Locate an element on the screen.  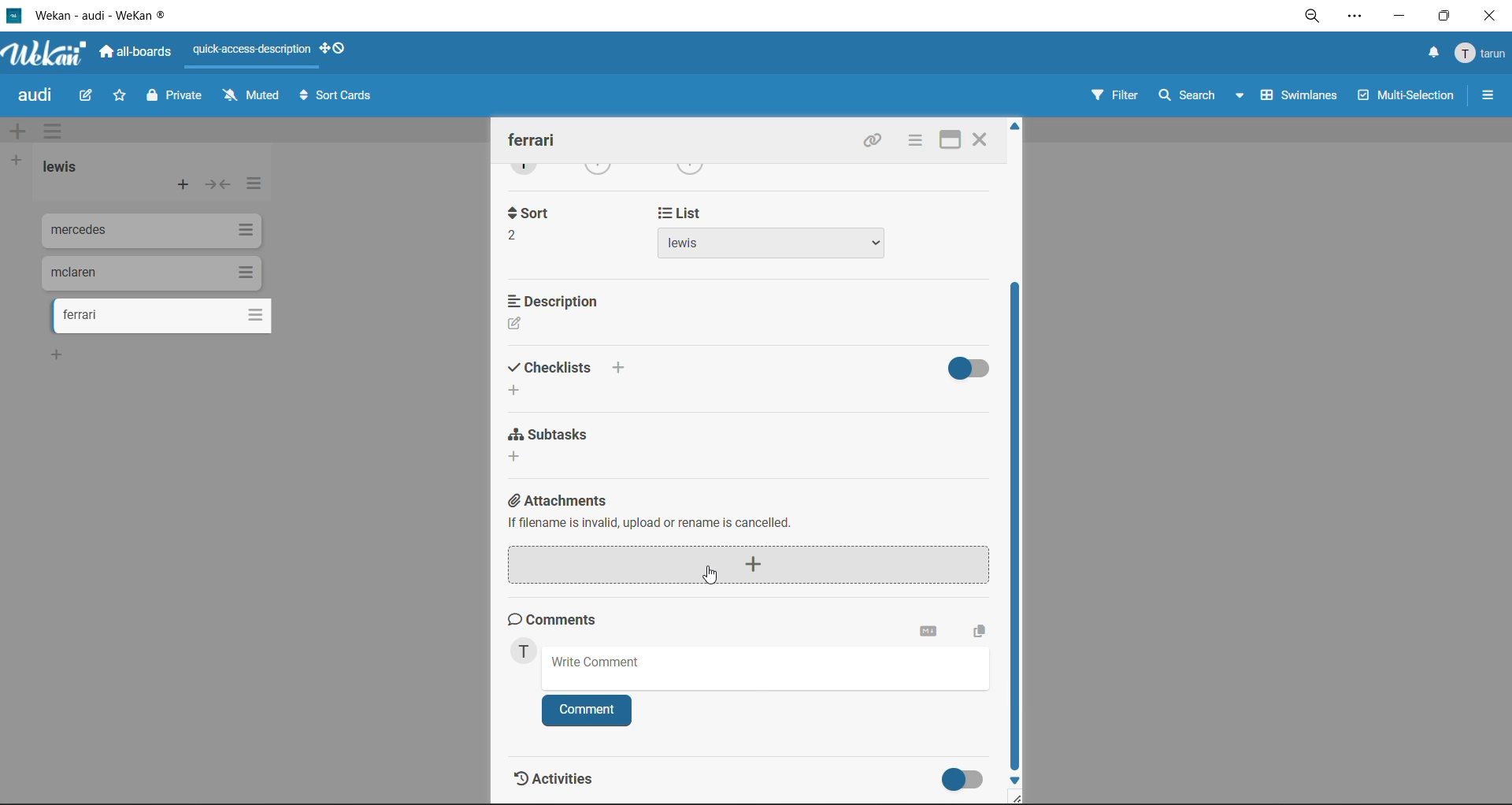
hide completed checklist is located at coordinates (973, 365).